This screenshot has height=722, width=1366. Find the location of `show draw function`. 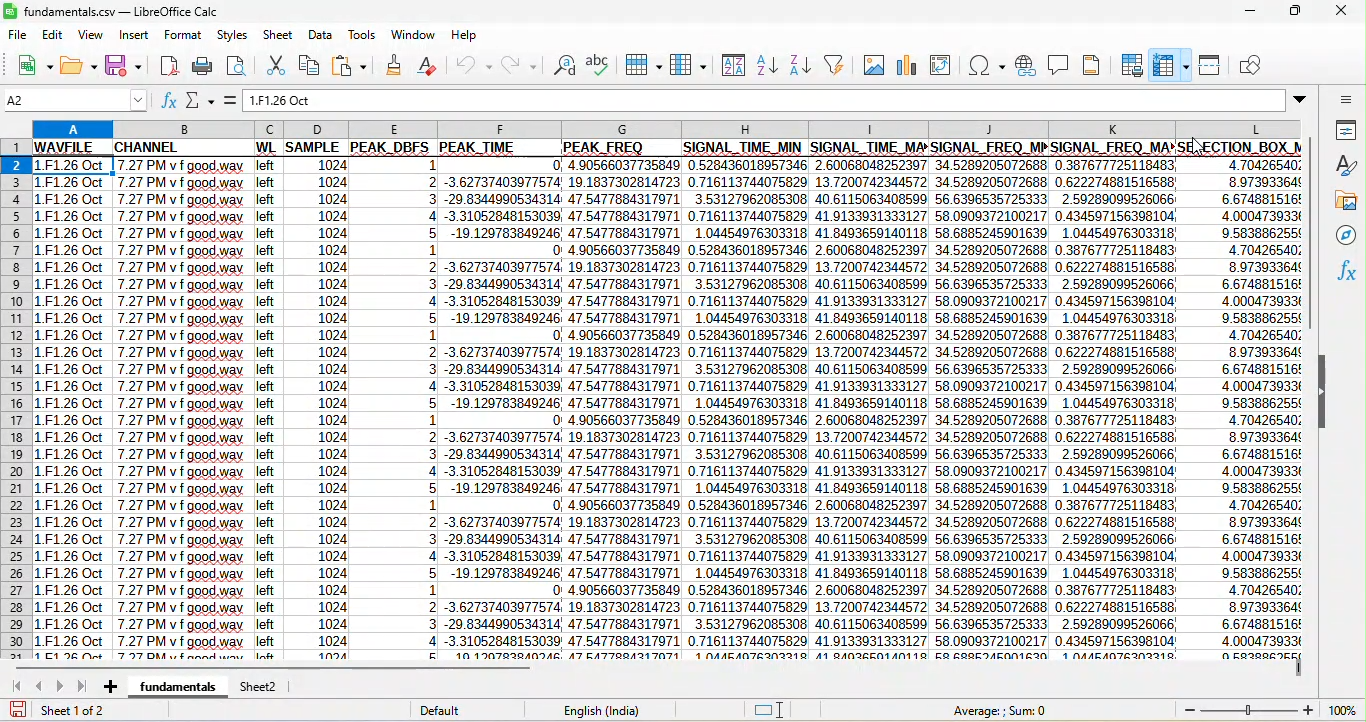

show draw function is located at coordinates (1255, 67).